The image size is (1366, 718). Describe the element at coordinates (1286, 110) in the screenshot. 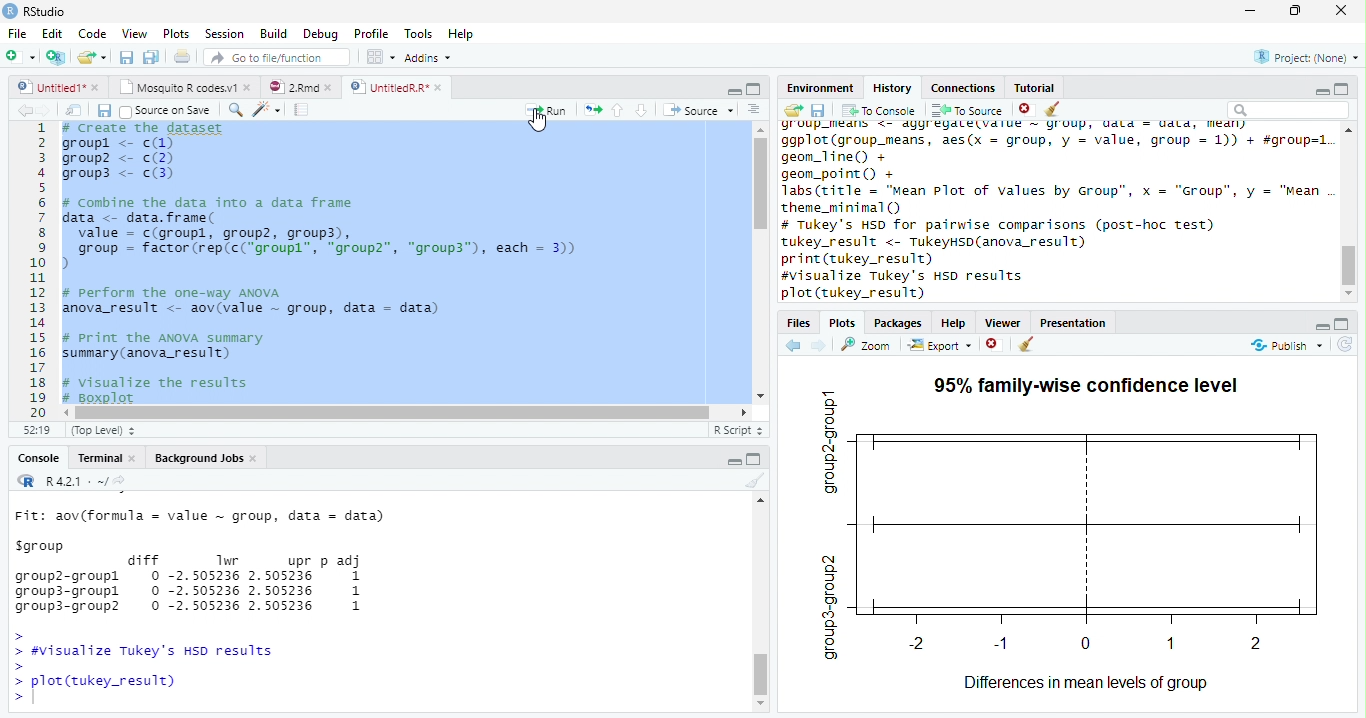

I see `Search` at that location.